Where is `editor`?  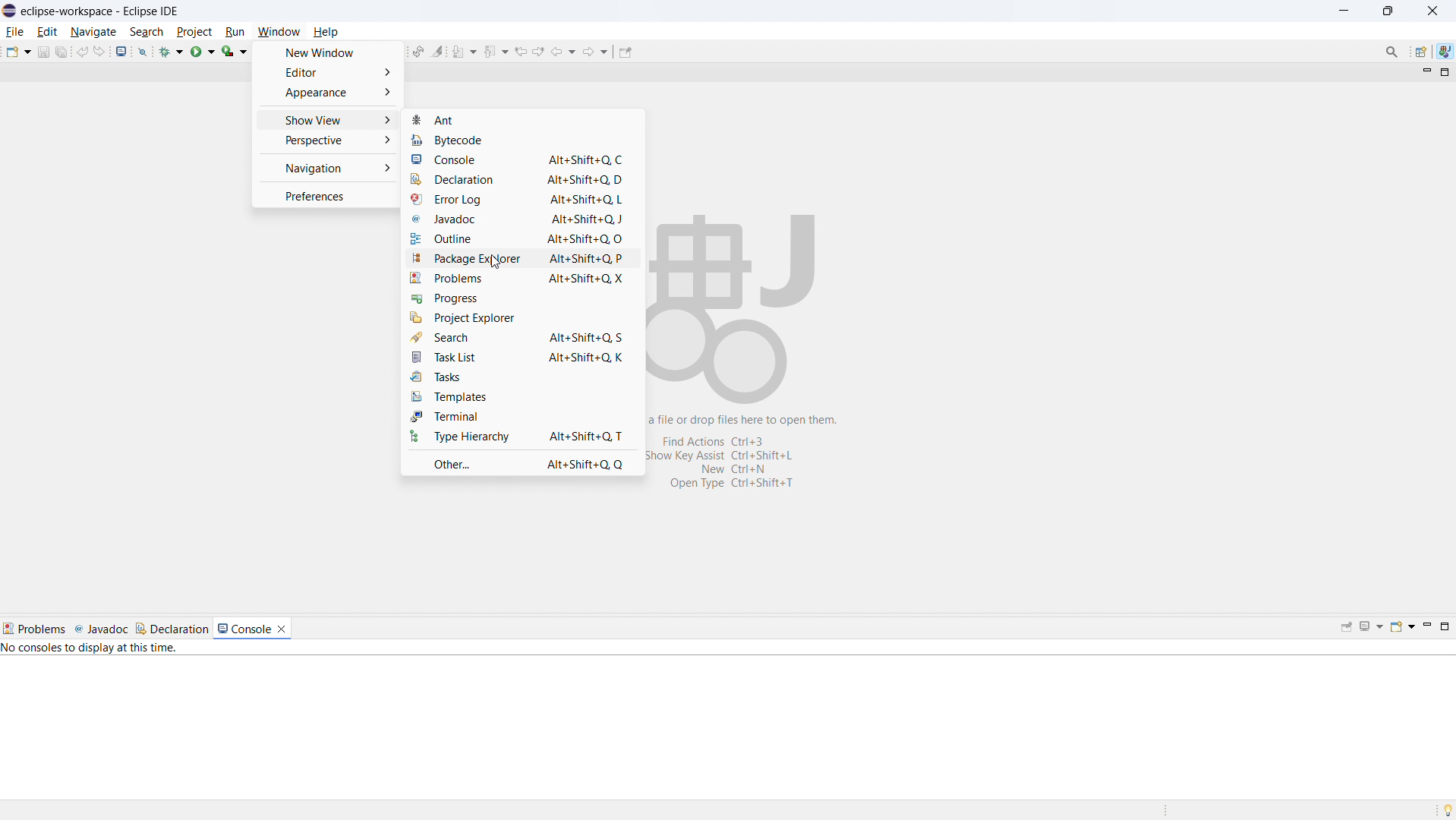 editor is located at coordinates (328, 71).